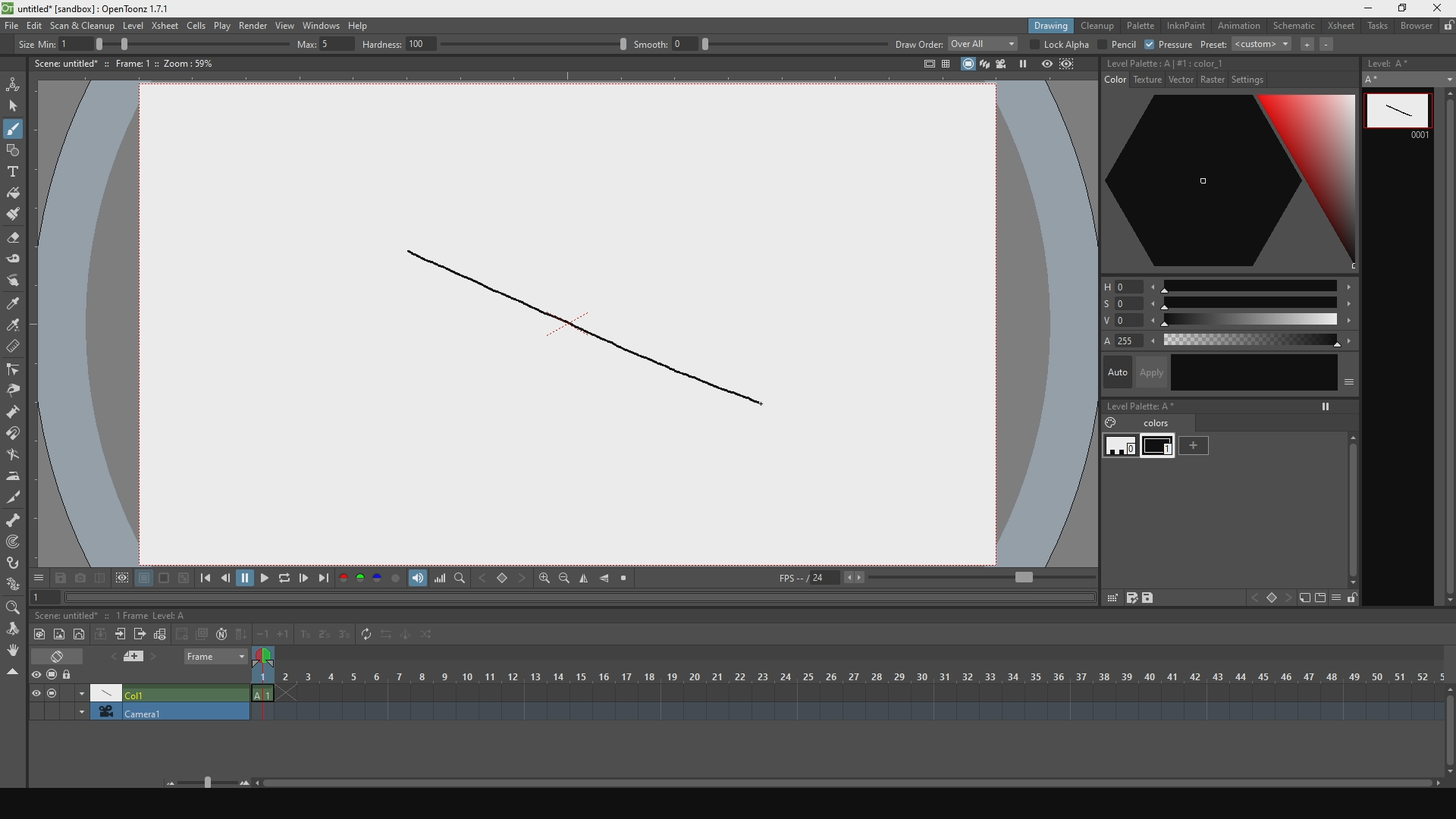 This screenshot has height=819, width=1456. What do you see at coordinates (10, 25) in the screenshot?
I see `file` at bounding box center [10, 25].